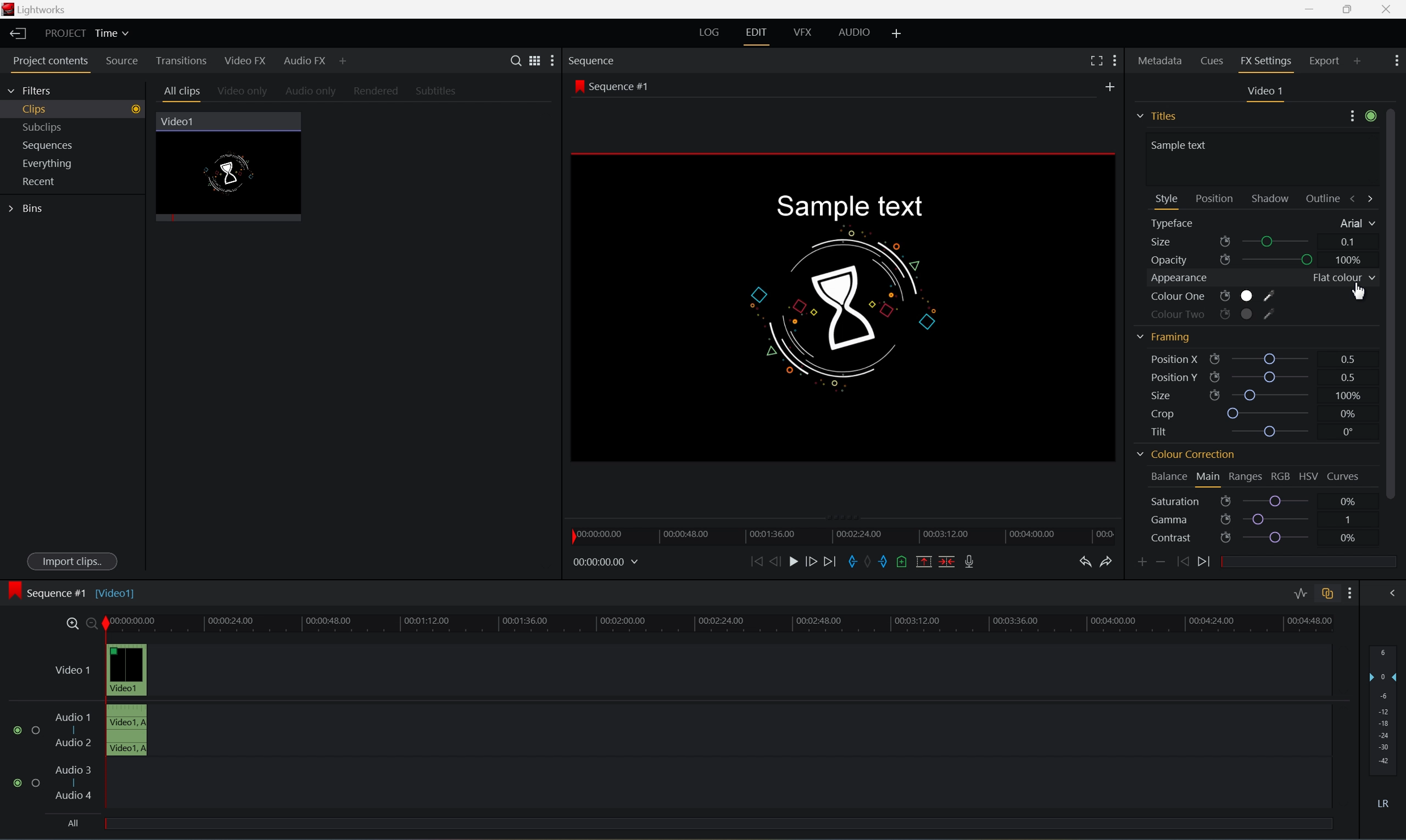  What do you see at coordinates (75, 796) in the screenshot?
I see `Audio 4` at bounding box center [75, 796].